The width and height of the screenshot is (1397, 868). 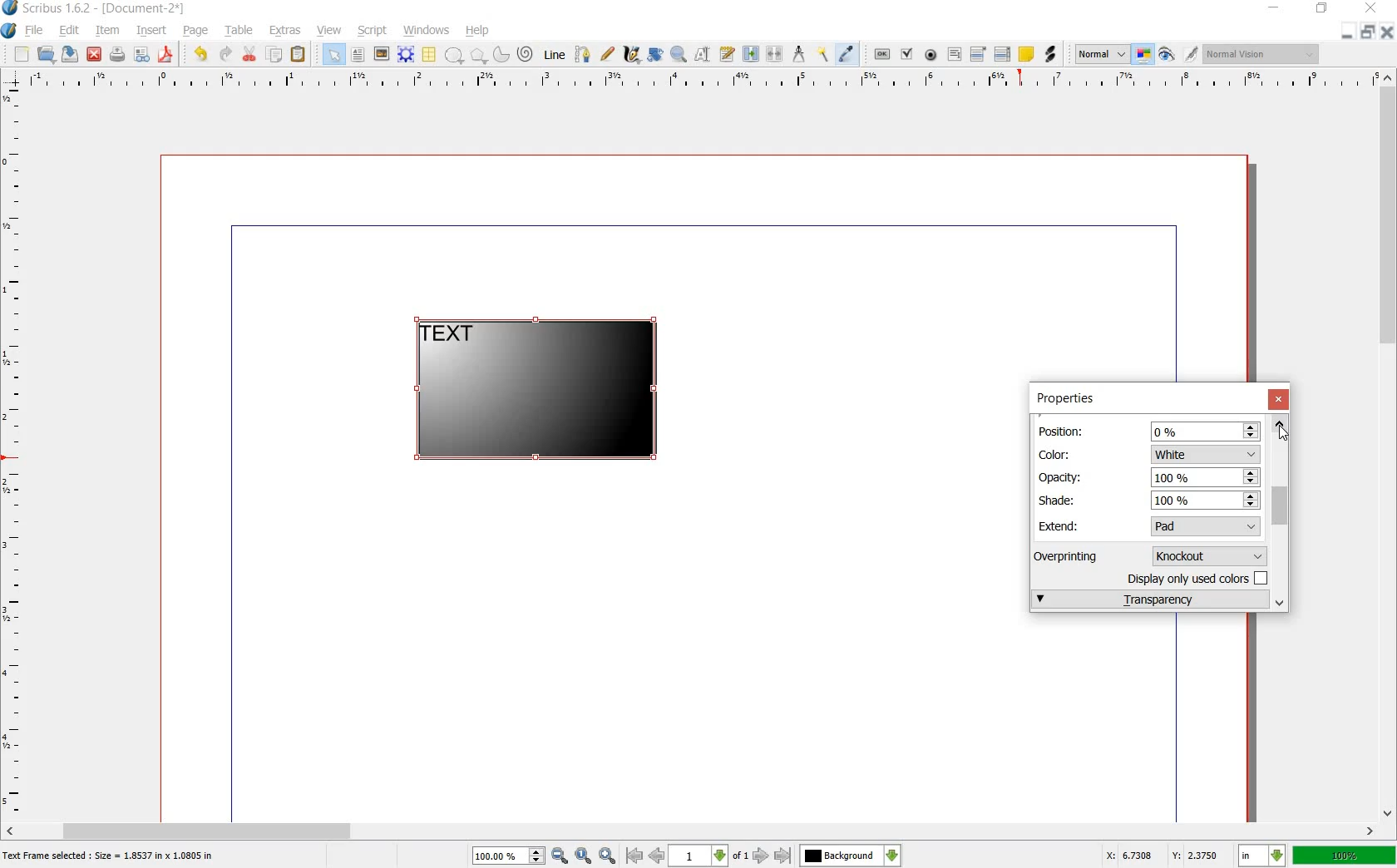 What do you see at coordinates (656, 55) in the screenshot?
I see `rotate item` at bounding box center [656, 55].